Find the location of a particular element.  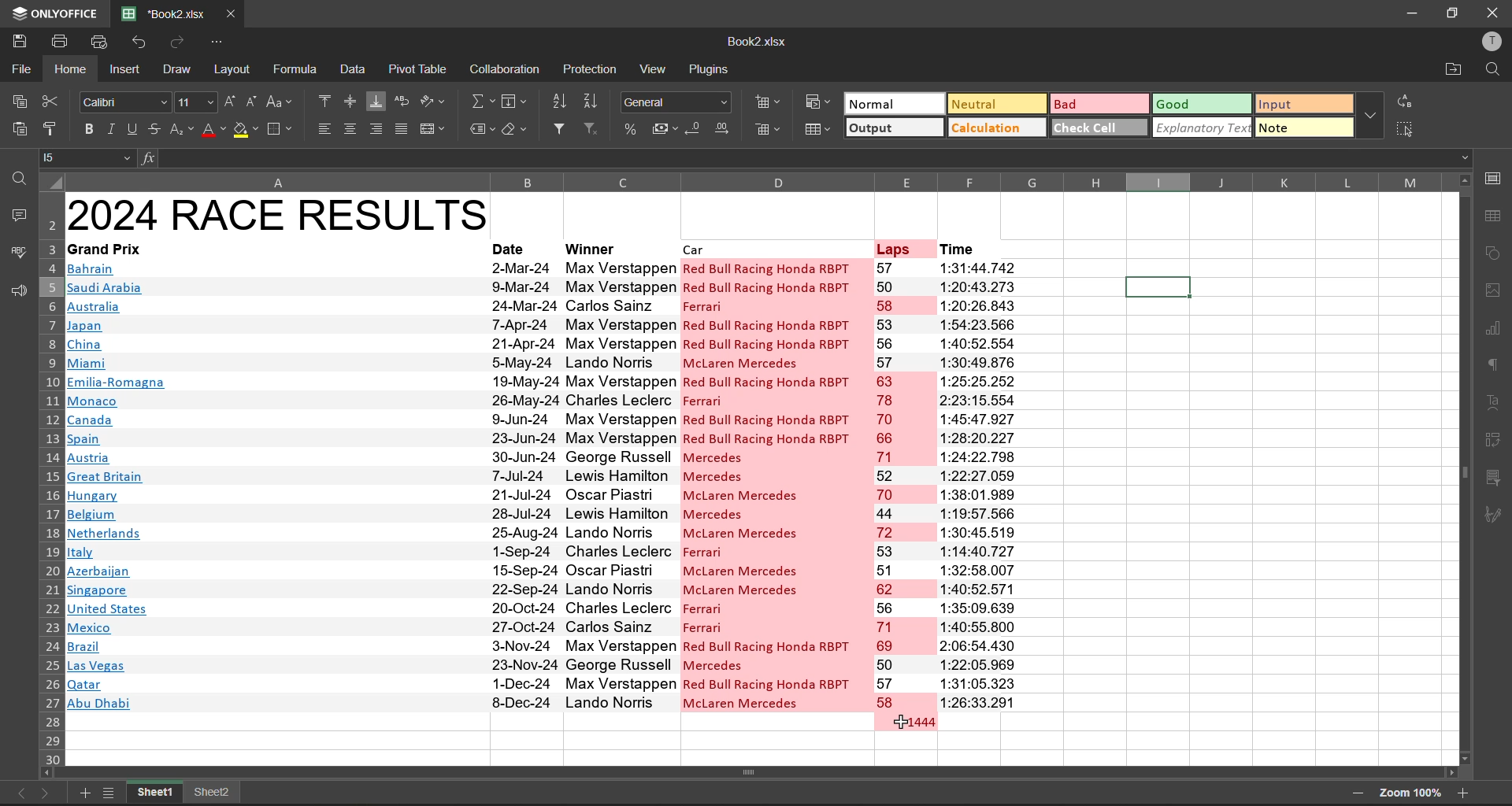

fields is located at coordinates (510, 105).